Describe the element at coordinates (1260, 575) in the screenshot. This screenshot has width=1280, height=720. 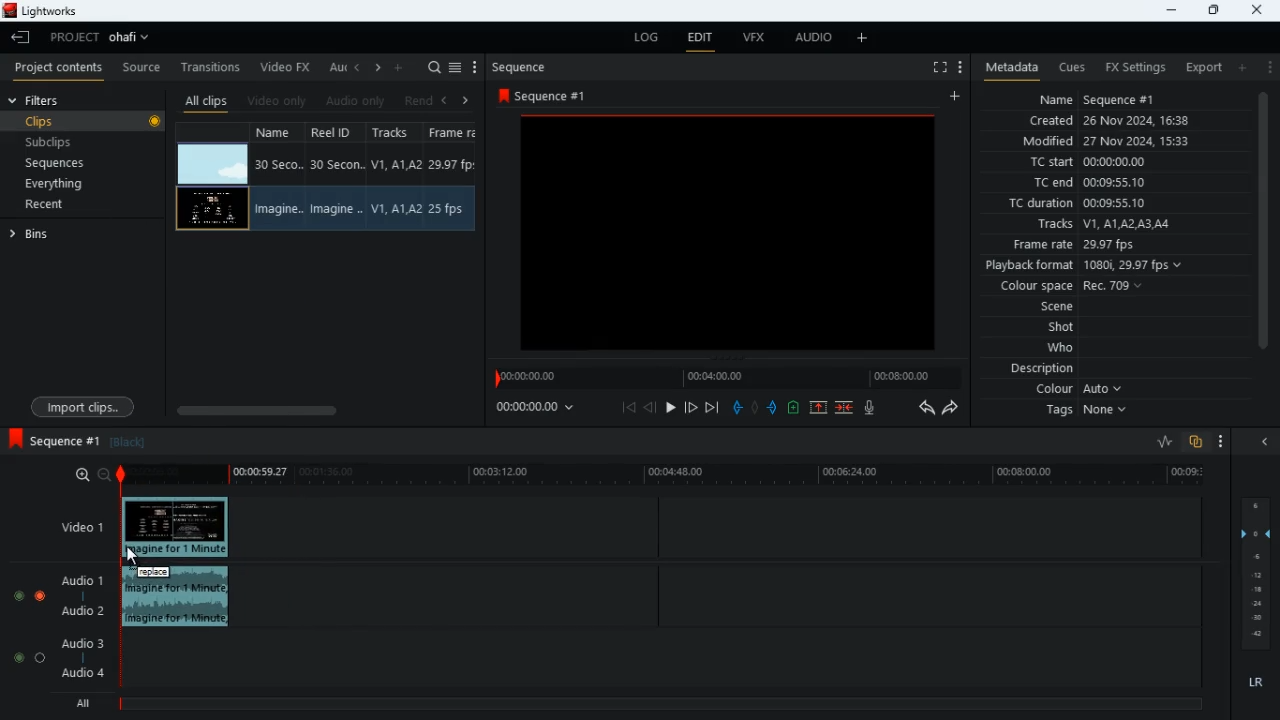
I see `layers` at that location.